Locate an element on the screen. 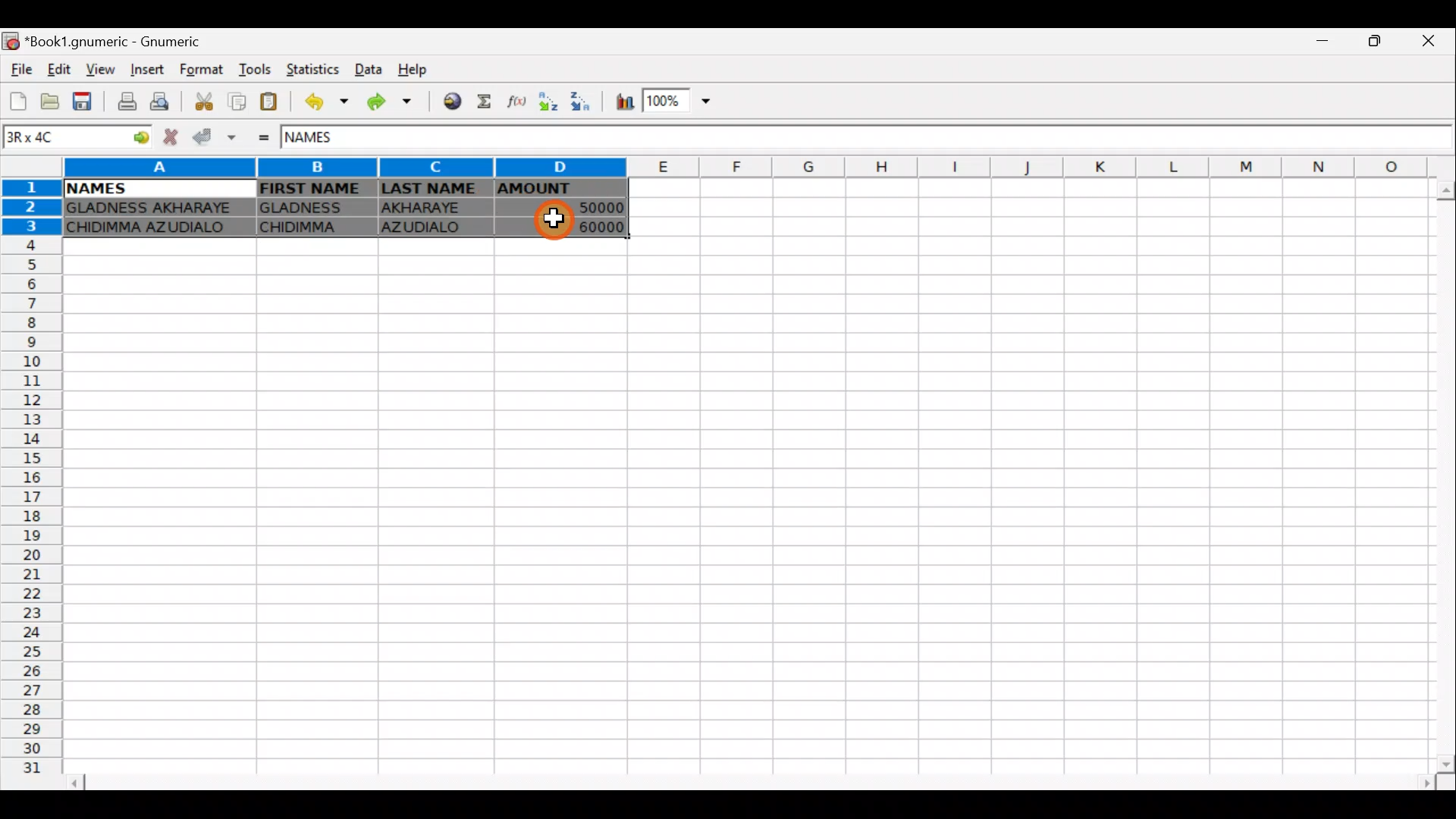 The width and height of the screenshot is (1456, 819). Edit is located at coordinates (61, 71).